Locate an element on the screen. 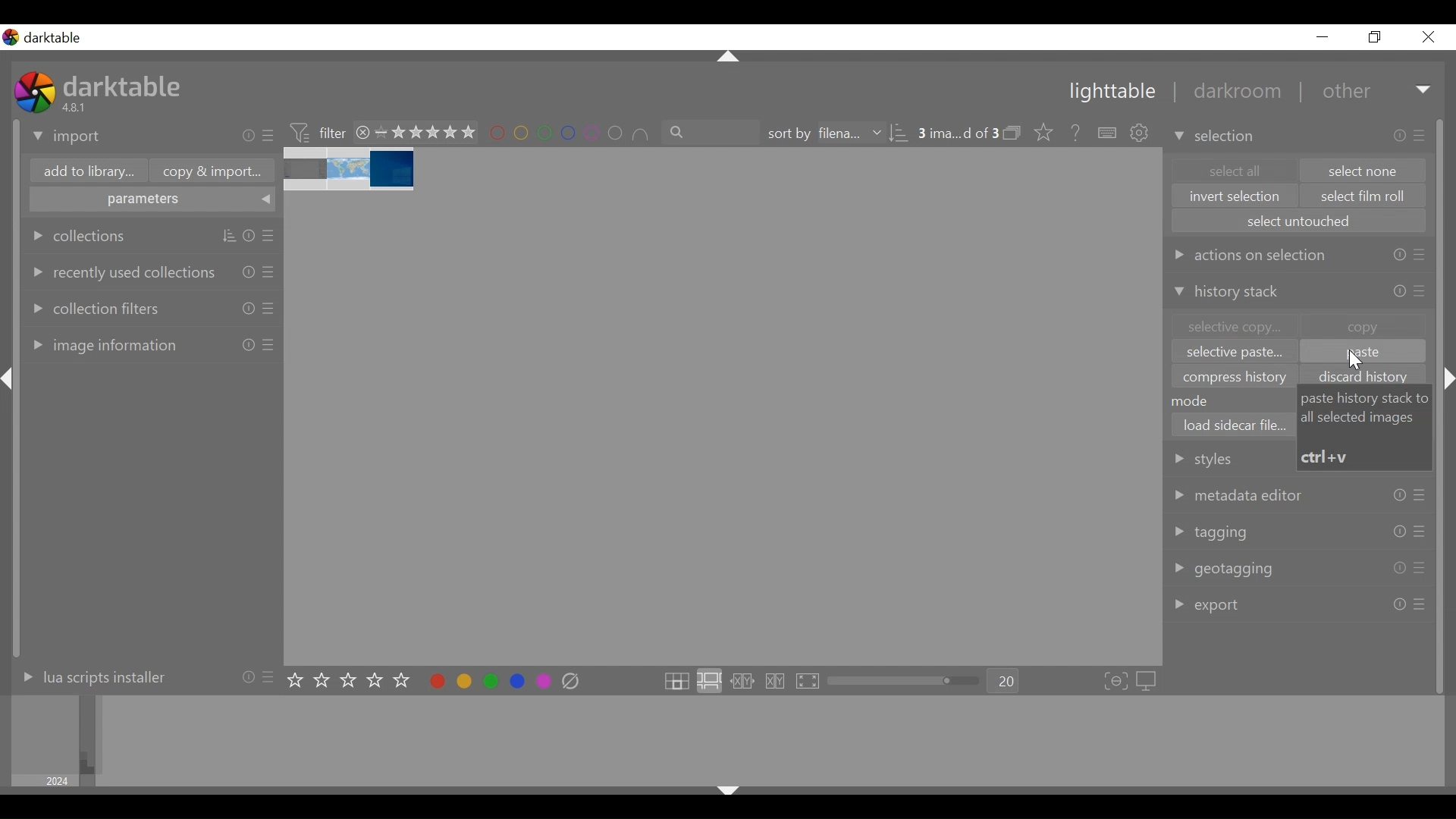 Image resolution: width=1456 pixels, height=819 pixels. presets is located at coordinates (1419, 569).